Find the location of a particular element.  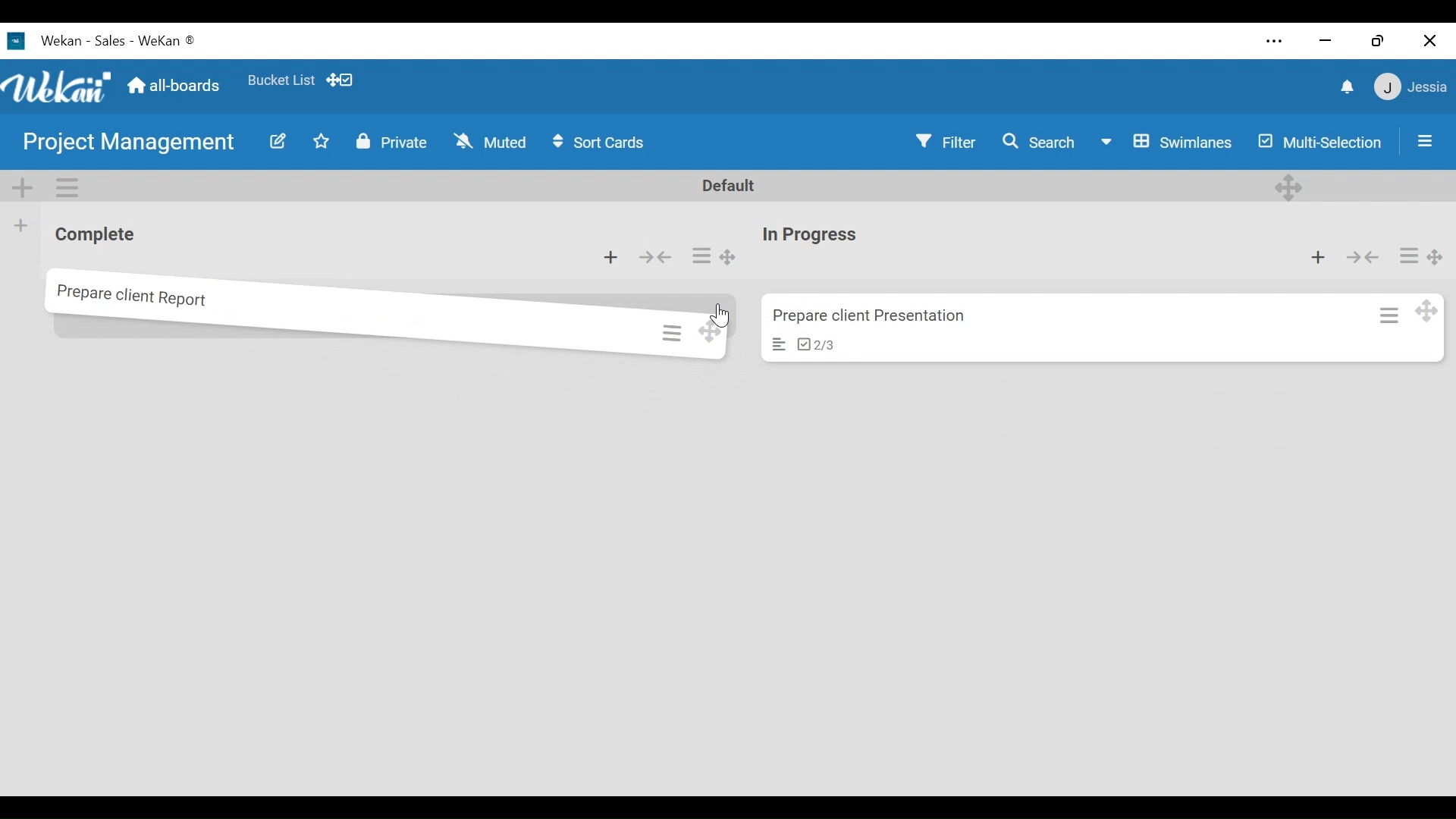

Close is located at coordinates (1431, 39).